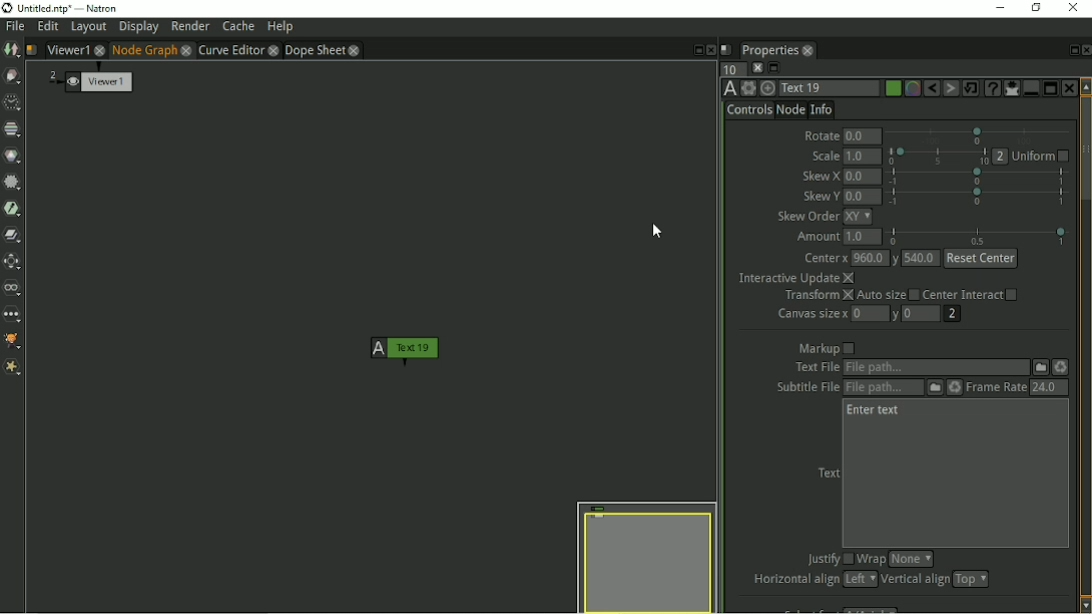  What do you see at coordinates (16, 369) in the screenshot?
I see `Extra` at bounding box center [16, 369].